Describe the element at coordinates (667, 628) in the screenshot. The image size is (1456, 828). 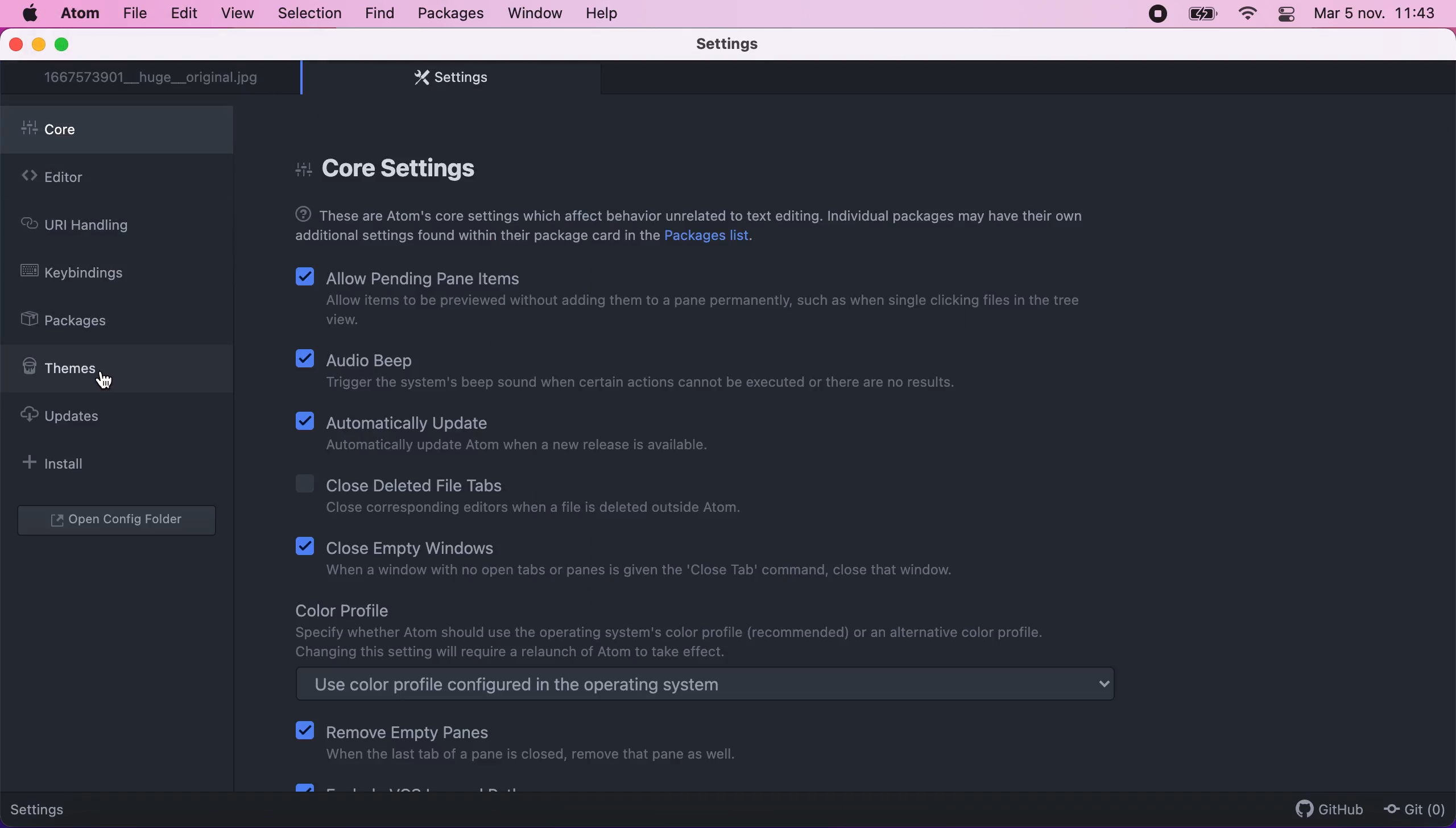
I see `Color Profile | Specify whether Atom should use the operating system's color profile (recommended) or an alternative color profile.Changing this setting will require a relaunch of Atom to take effect.` at that location.